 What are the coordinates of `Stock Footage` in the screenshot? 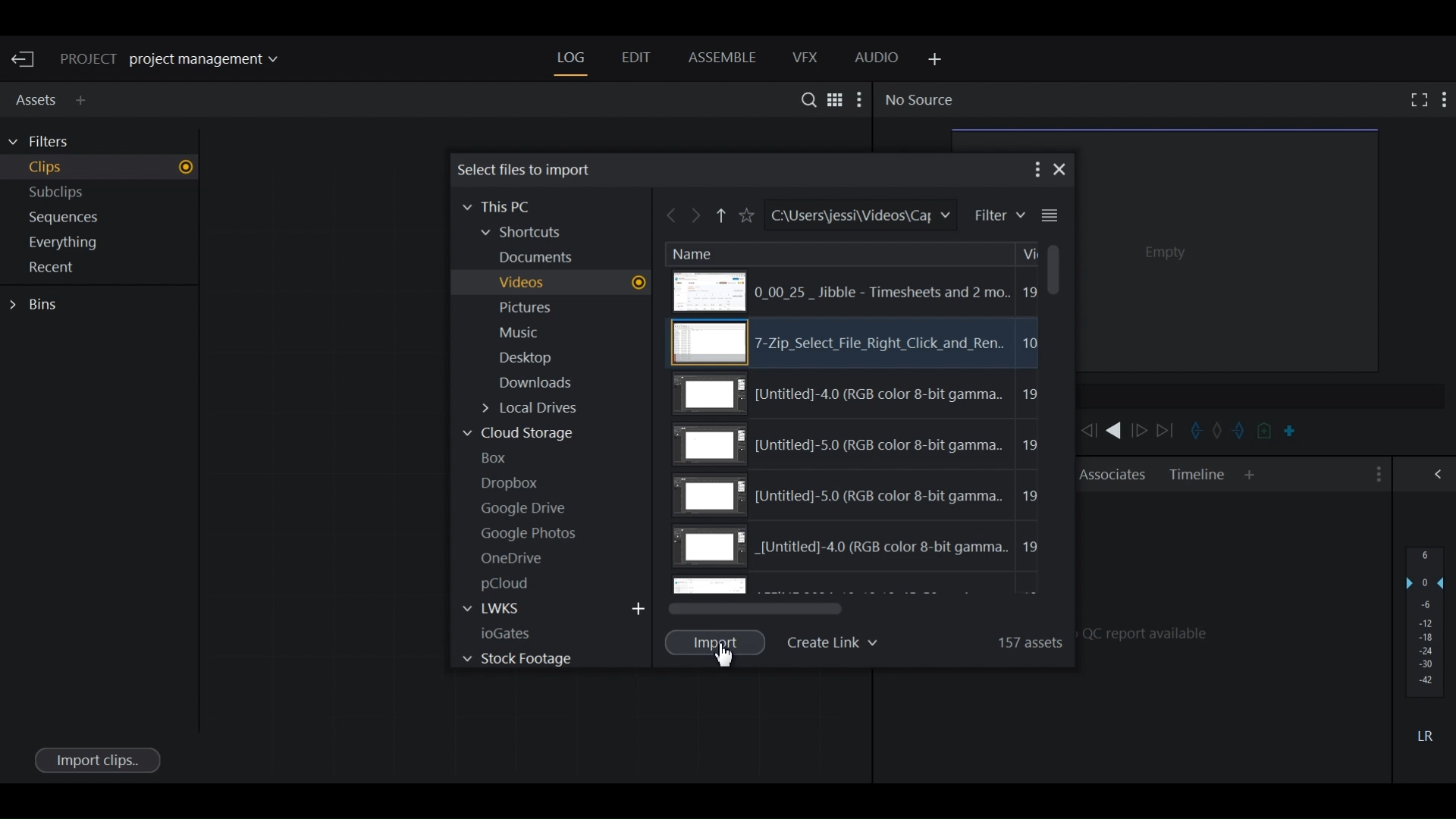 It's located at (516, 658).